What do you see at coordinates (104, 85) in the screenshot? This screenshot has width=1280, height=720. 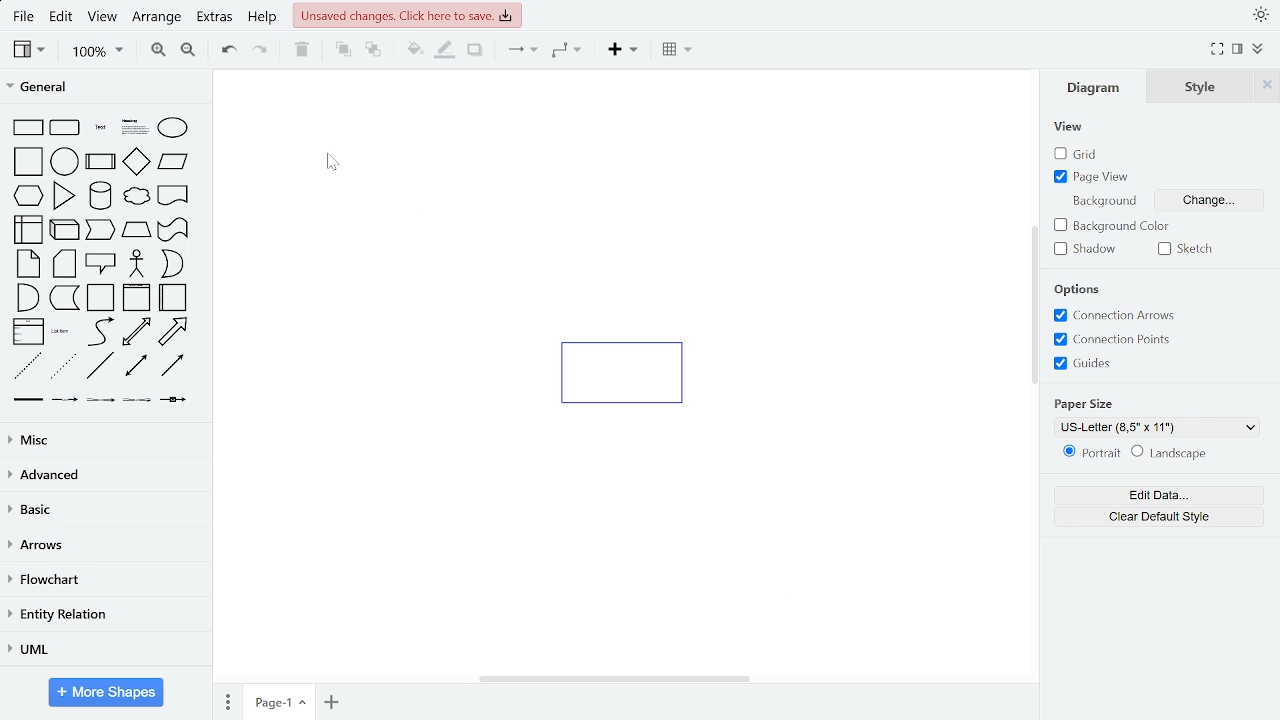 I see `general` at bounding box center [104, 85].